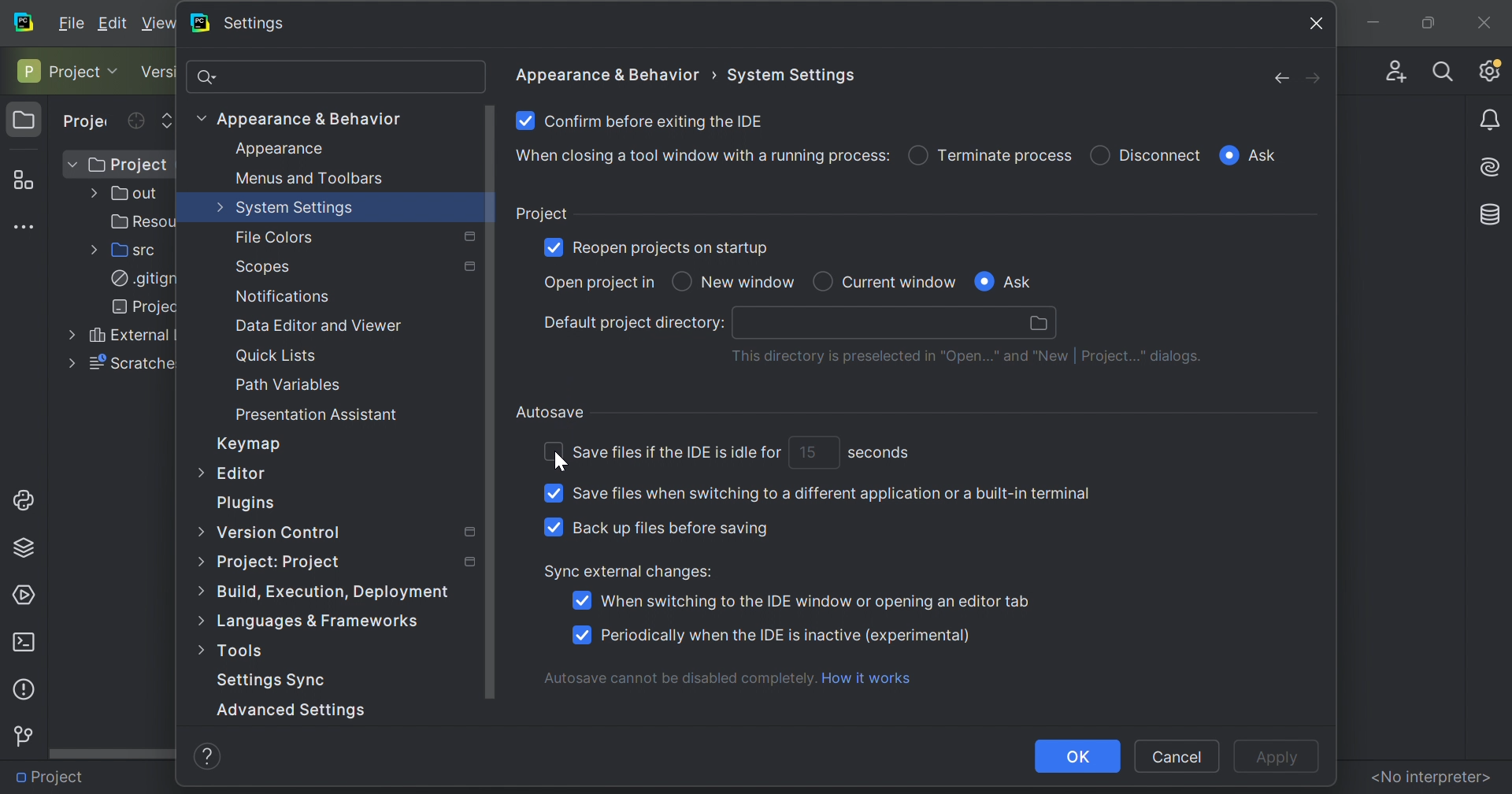 Image resolution: width=1512 pixels, height=794 pixels. What do you see at coordinates (1273, 78) in the screenshot?
I see `Back` at bounding box center [1273, 78].